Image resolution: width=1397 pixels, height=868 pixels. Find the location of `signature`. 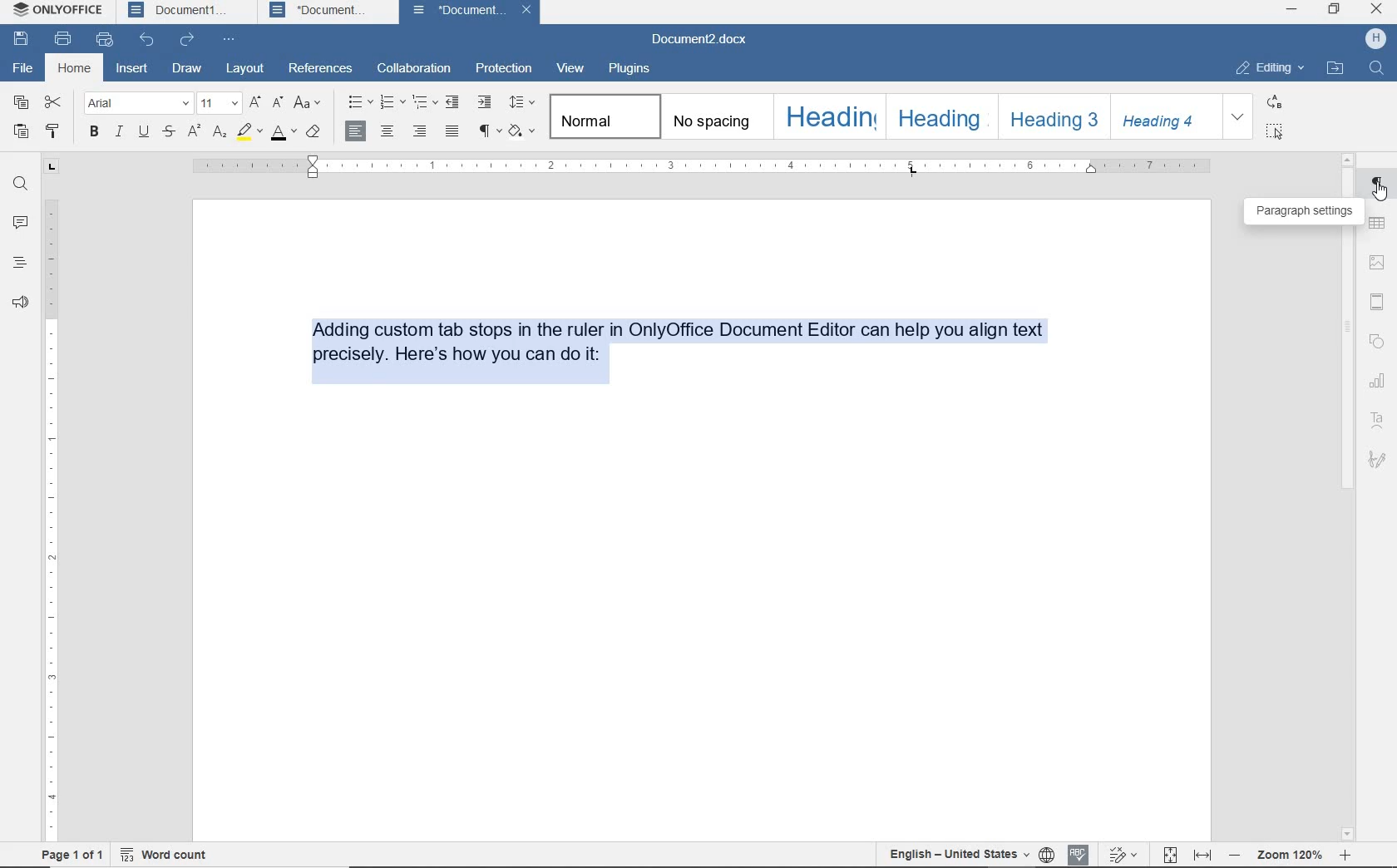

signature is located at coordinates (1377, 460).